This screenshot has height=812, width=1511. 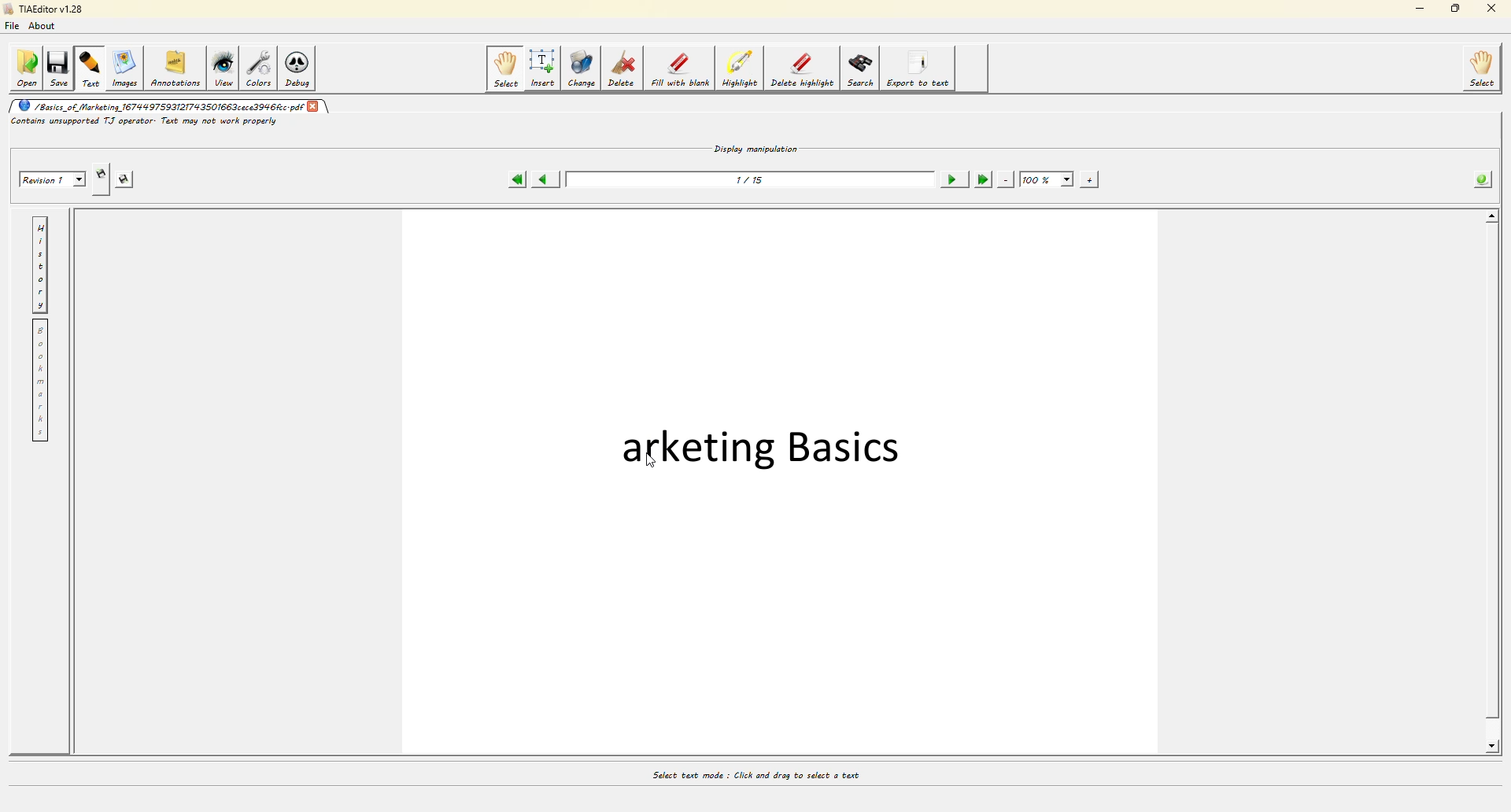 I want to click on close, so click(x=1487, y=10).